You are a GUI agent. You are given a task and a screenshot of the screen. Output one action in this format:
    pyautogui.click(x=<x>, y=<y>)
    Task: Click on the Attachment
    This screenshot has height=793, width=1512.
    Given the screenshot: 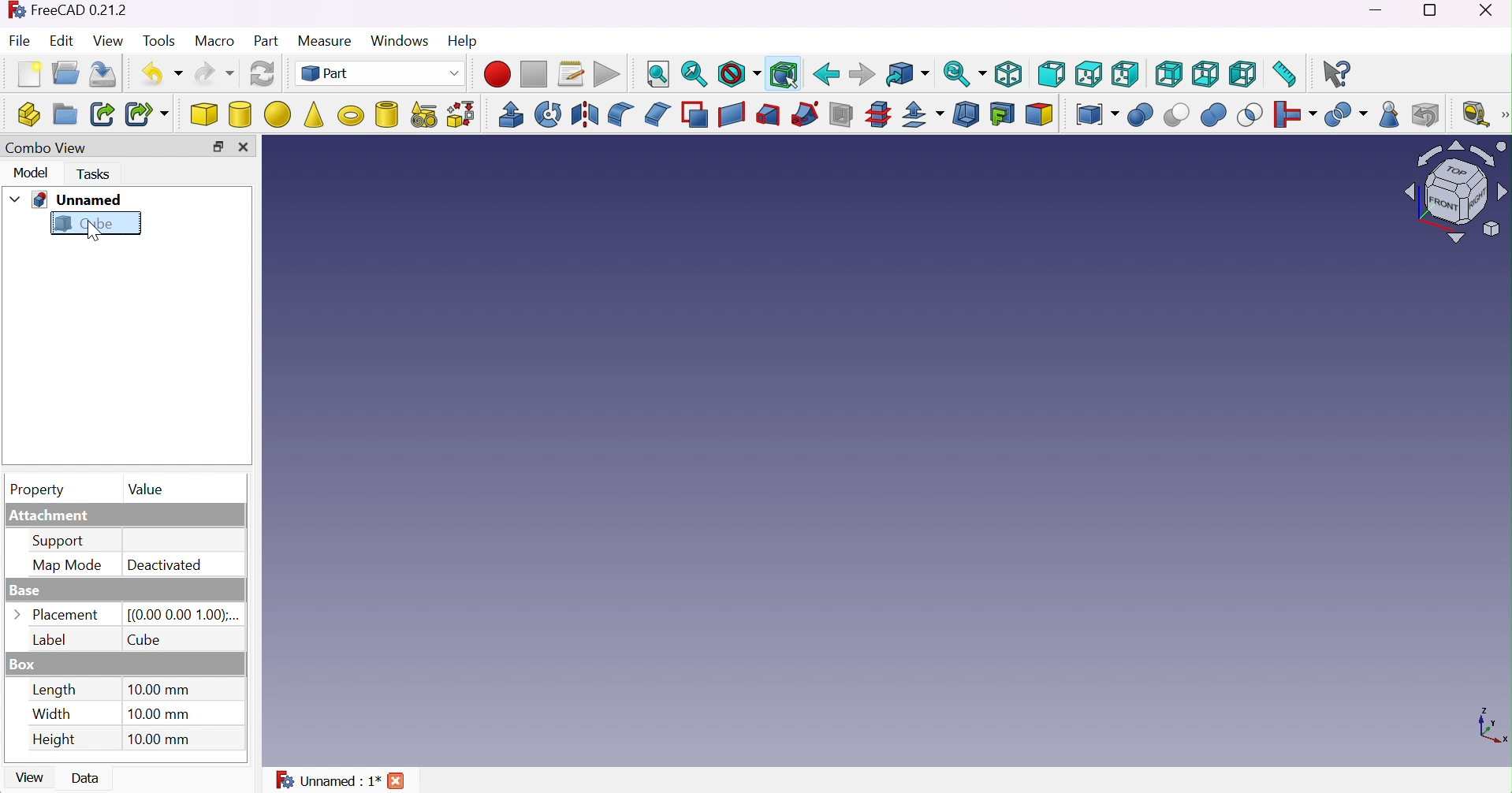 What is the action you would take?
    pyautogui.click(x=51, y=517)
    